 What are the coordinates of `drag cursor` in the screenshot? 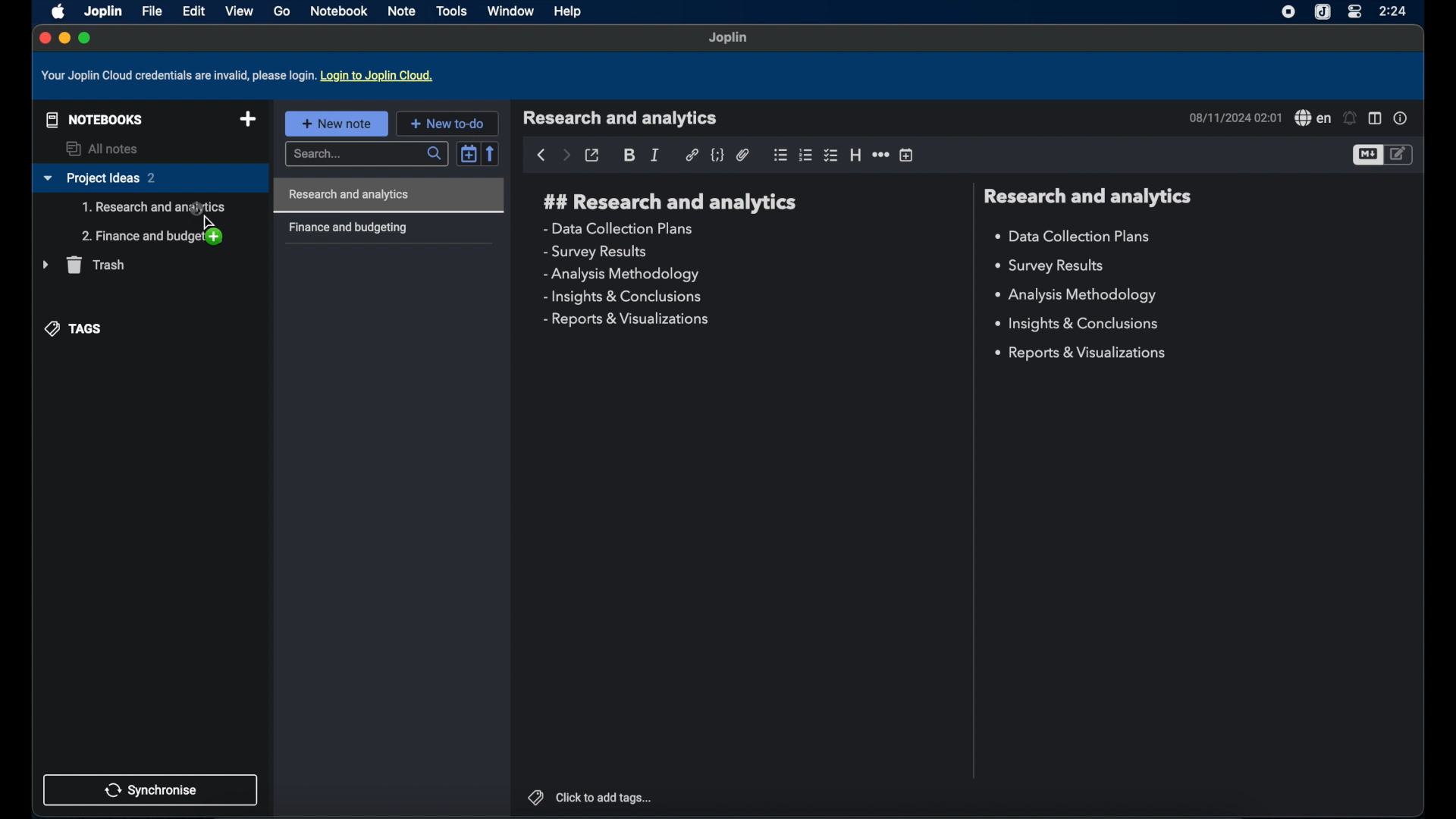 It's located at (204, 223).